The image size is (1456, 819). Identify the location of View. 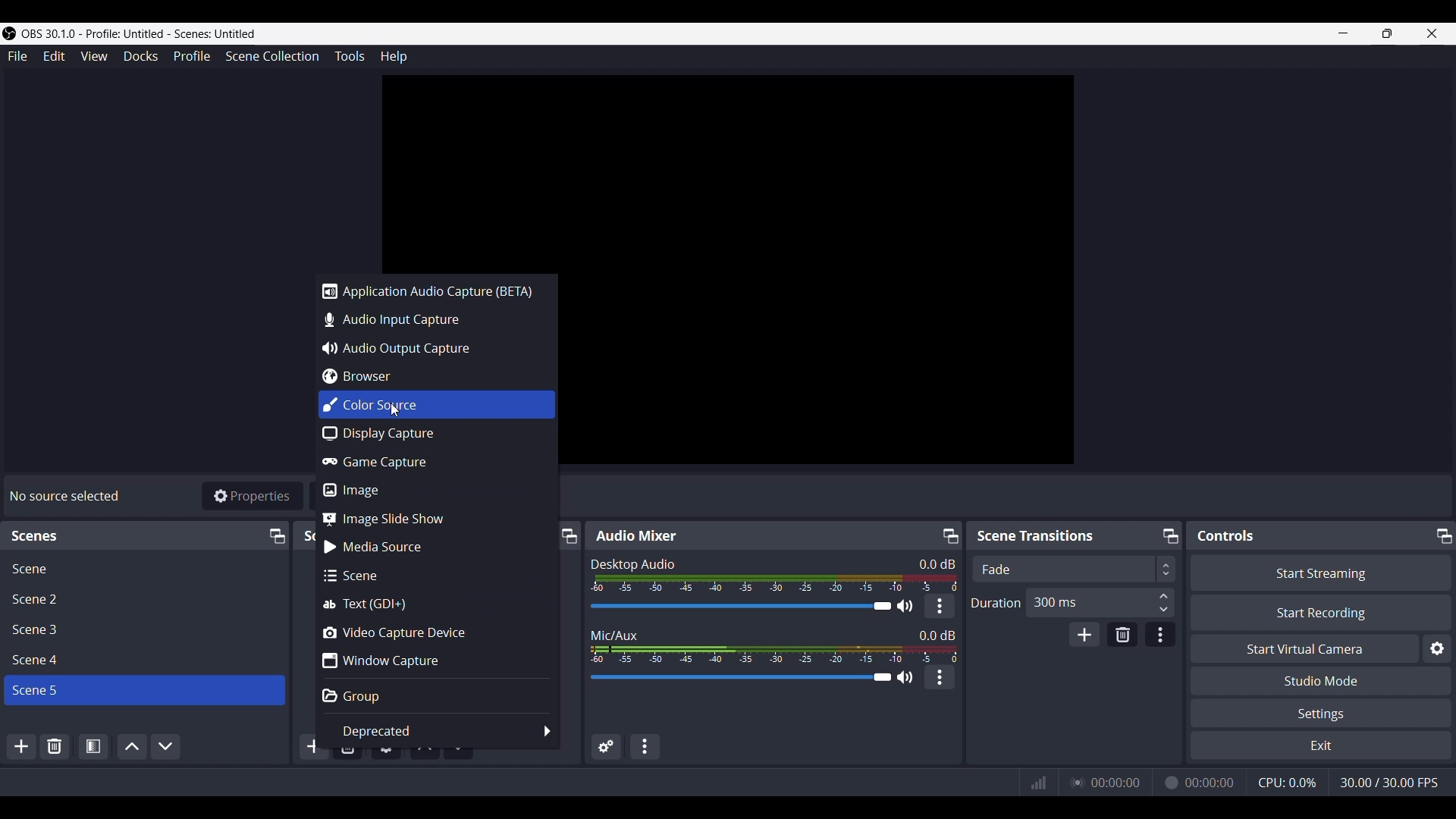
(93, 56).